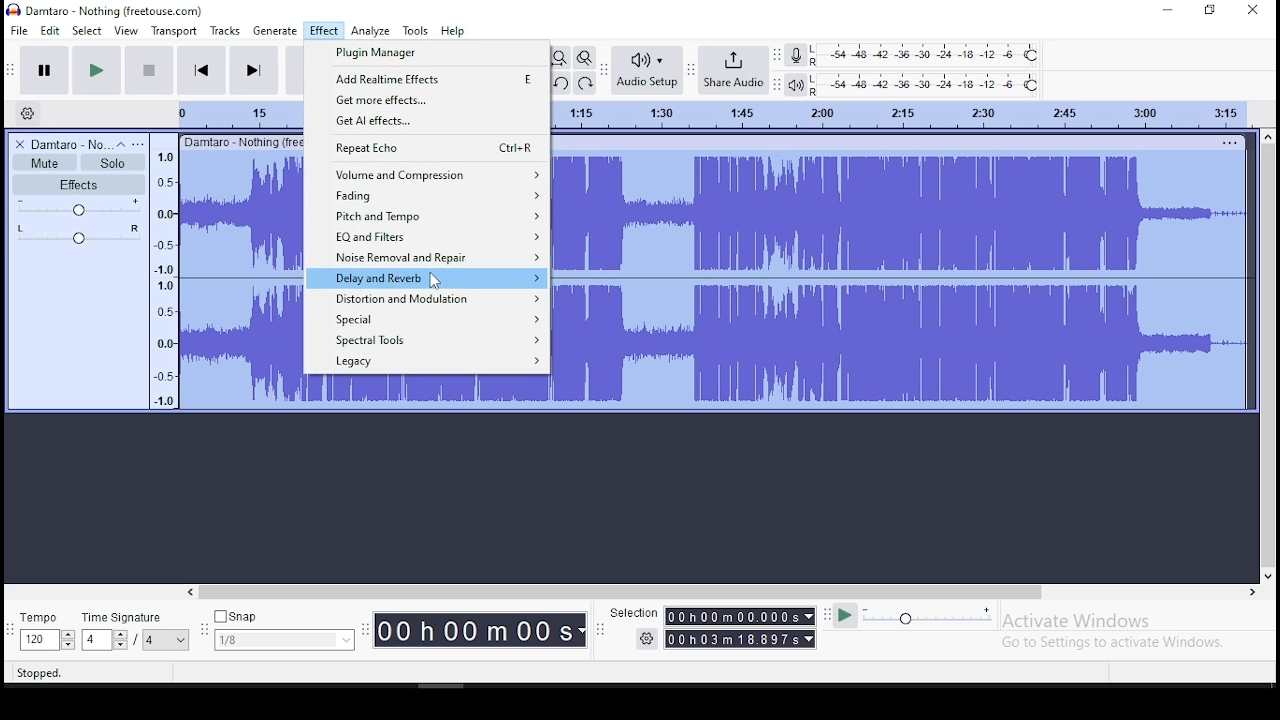 Image resolution: width=1280 pixels, height=720 pixels. Describe the element at coordinates (133, 615) in the screenshot. I see `time signature` at that location.